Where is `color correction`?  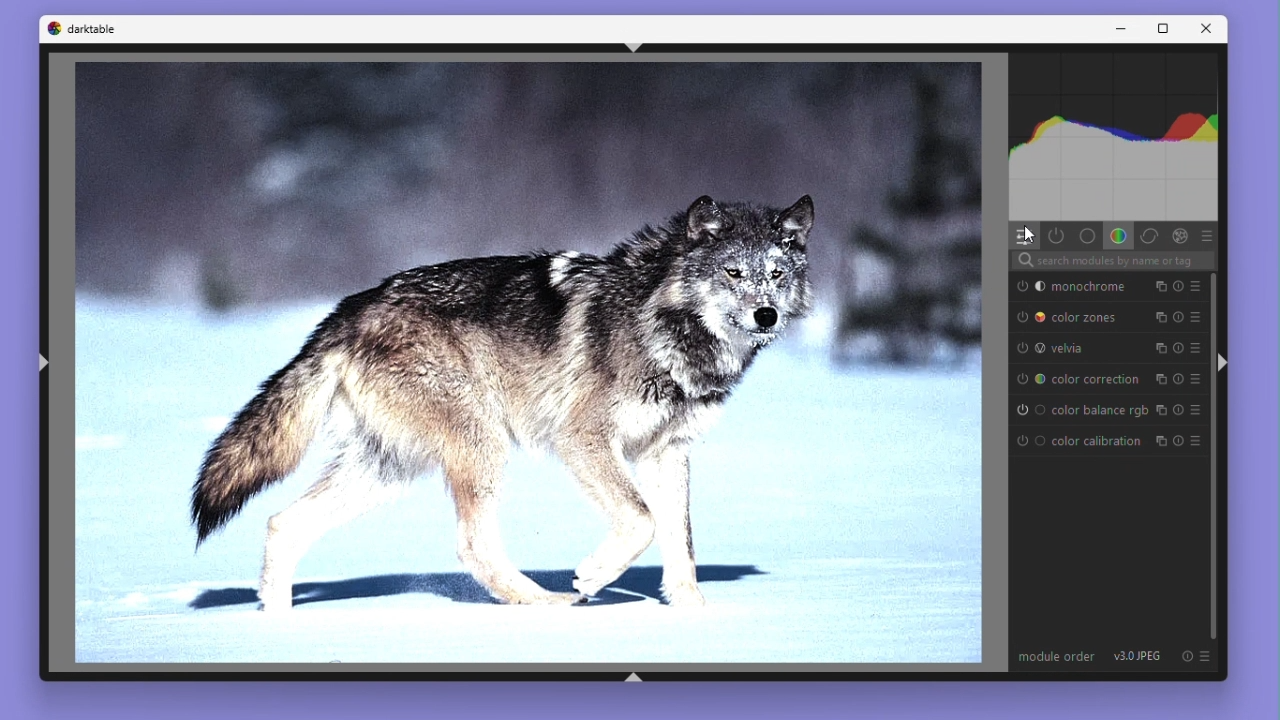
color correction is located at coordinates (1078, 380).